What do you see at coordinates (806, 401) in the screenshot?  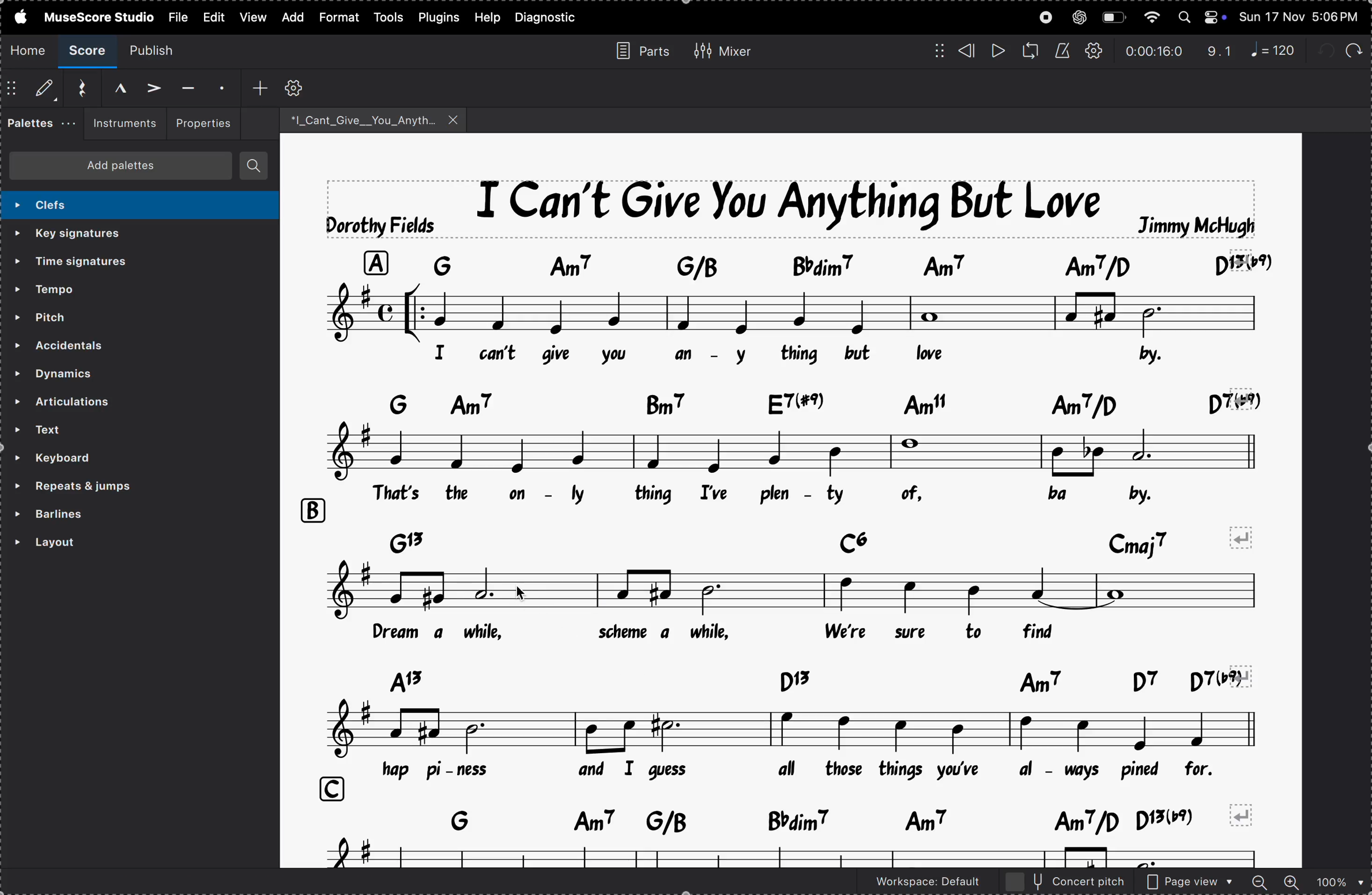 I see `key notes` at bounding box center [806, 401].